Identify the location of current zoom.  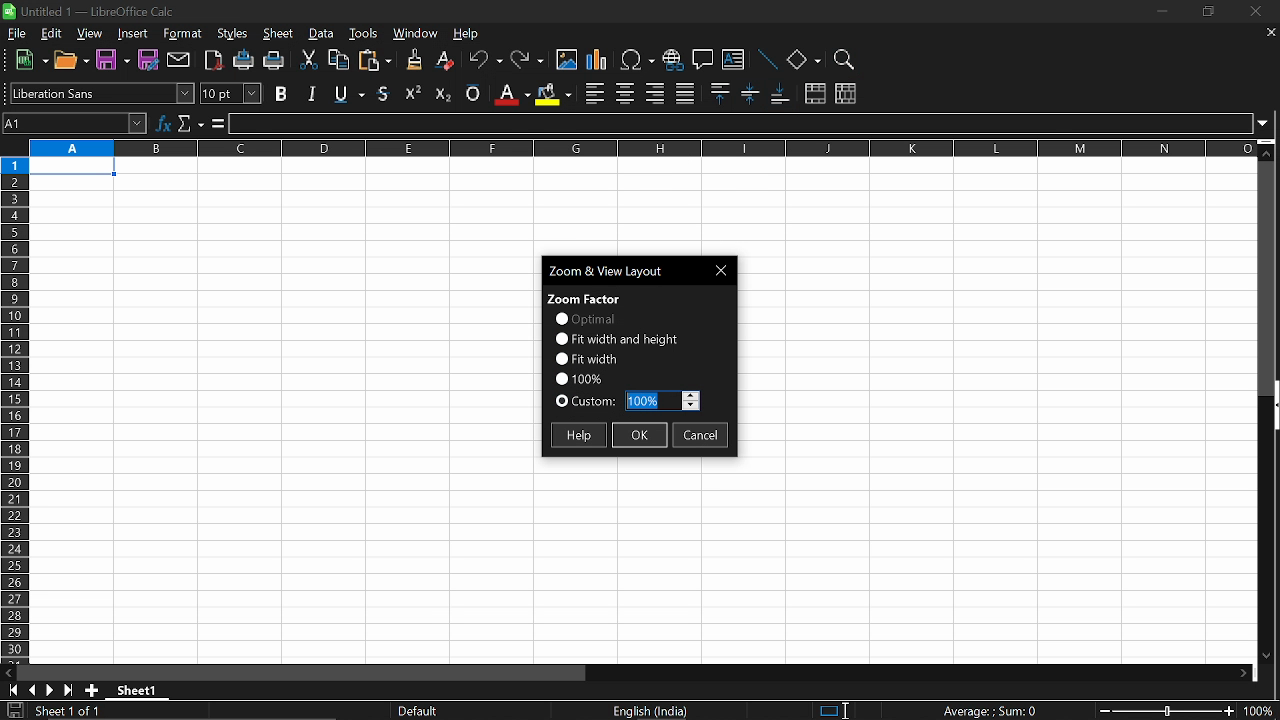
(578, 377).